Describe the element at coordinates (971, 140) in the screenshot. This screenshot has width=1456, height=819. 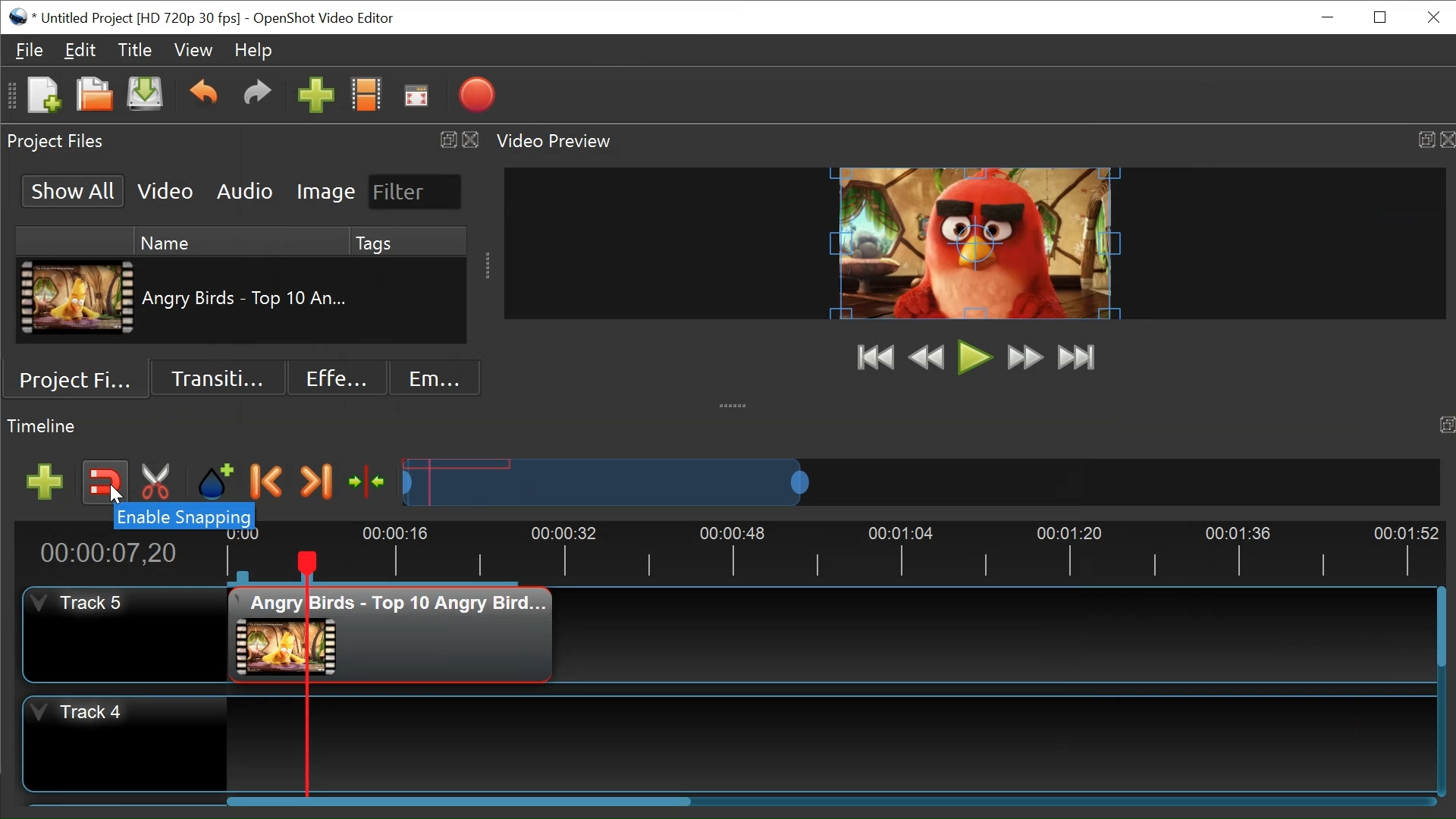
I see `Video Preview Panel` at that location.